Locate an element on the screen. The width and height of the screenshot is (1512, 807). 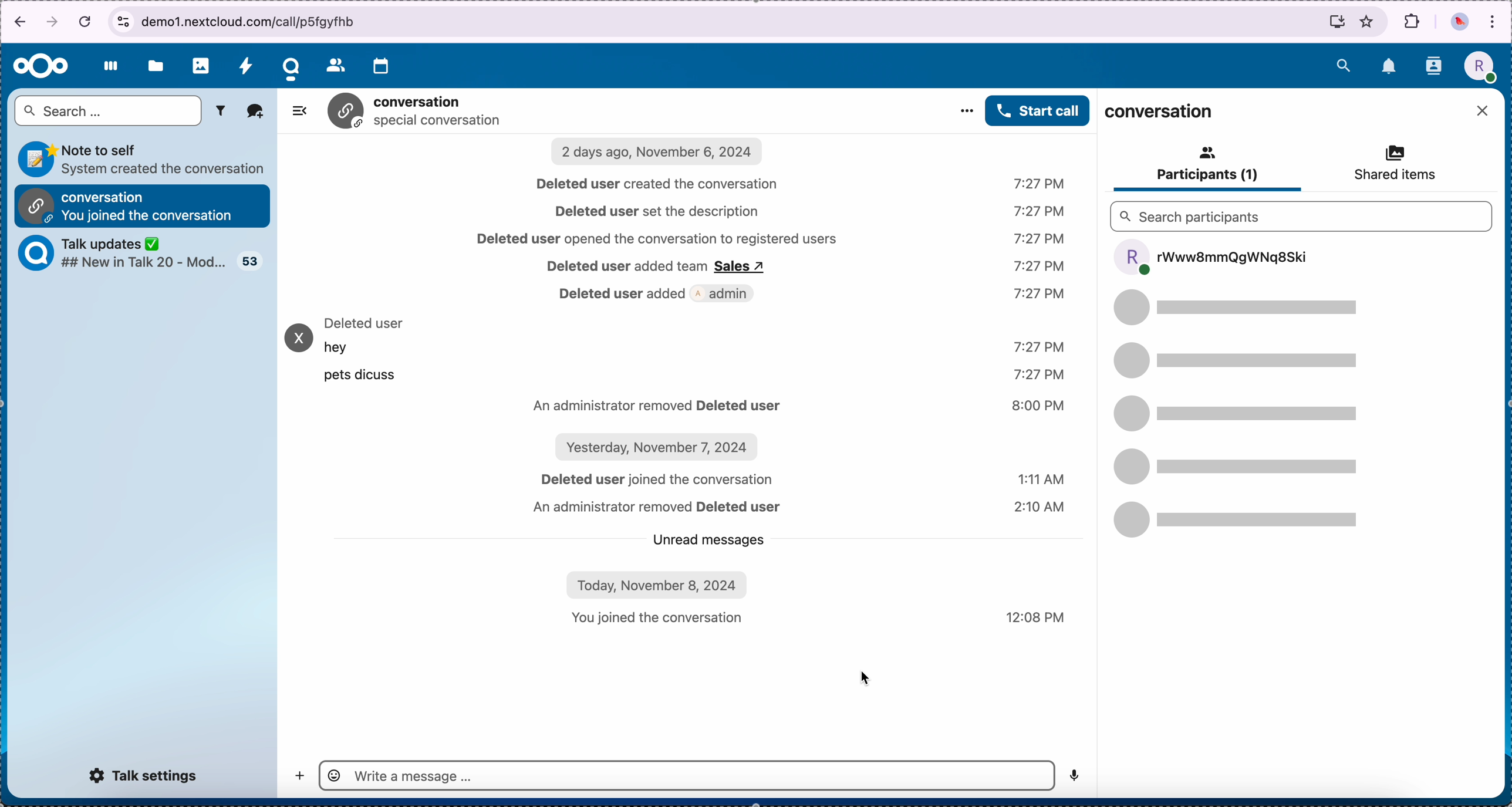
info is located at coordinates (626, 269).